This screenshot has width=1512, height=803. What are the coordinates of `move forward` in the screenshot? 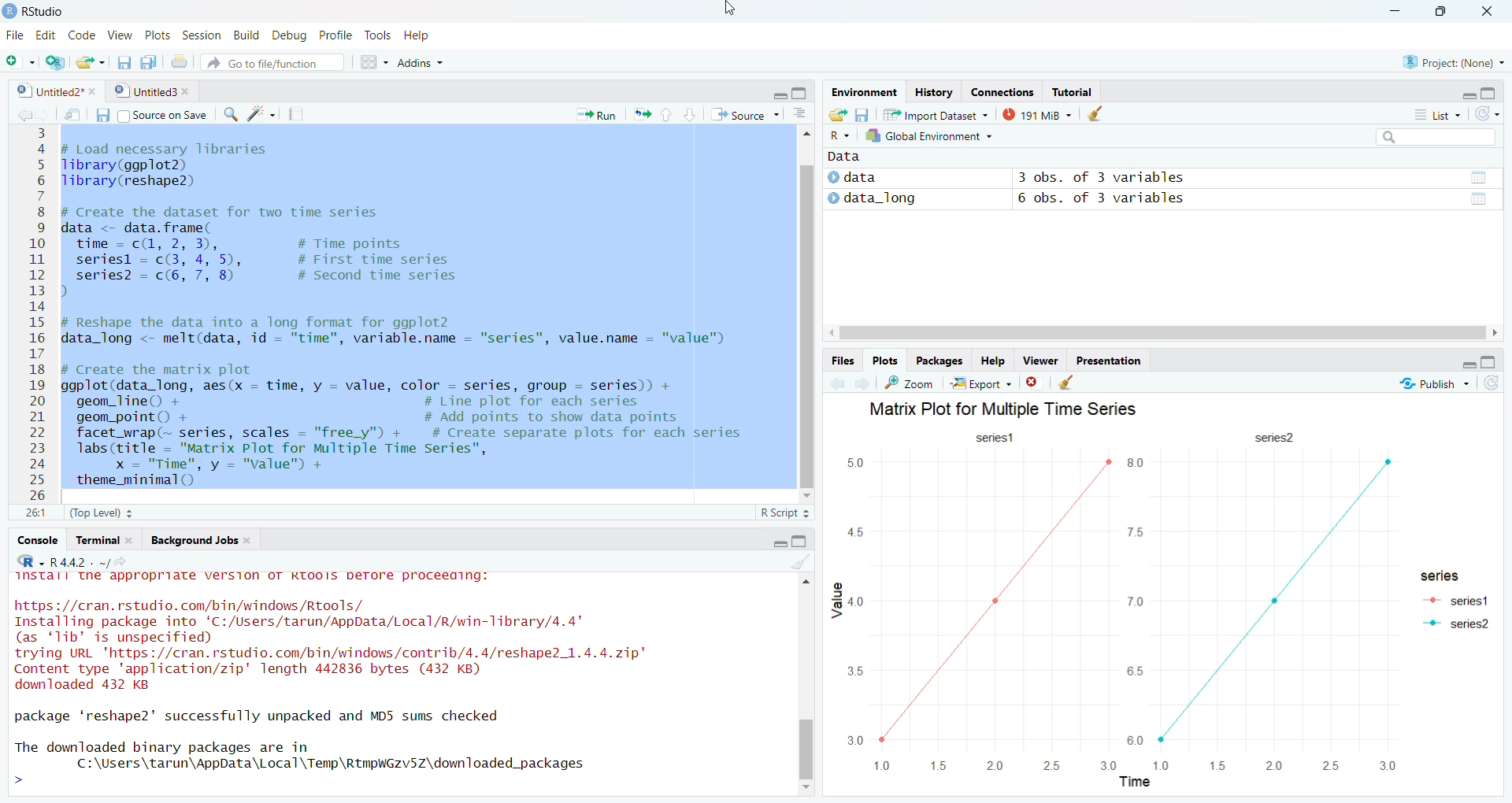 It's located at (862, 383).